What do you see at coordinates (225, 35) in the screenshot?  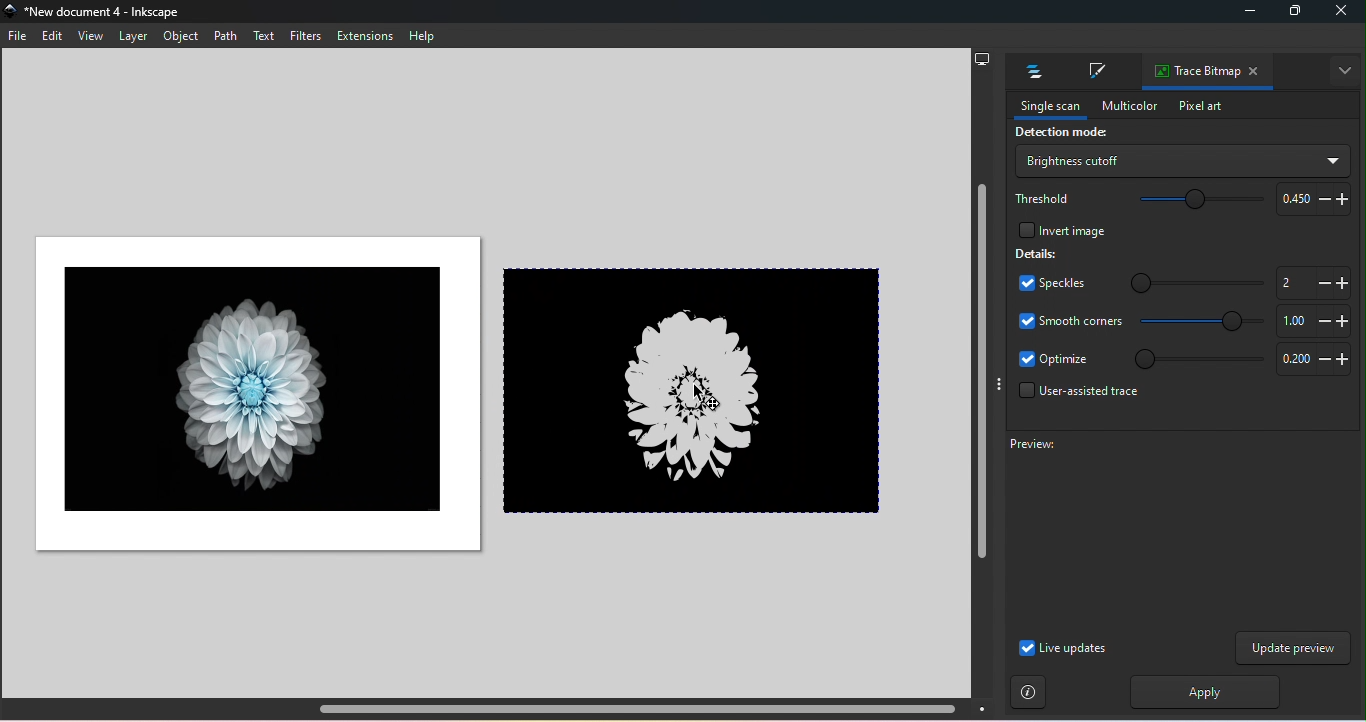 I see `Path` at bounding box center [225, 35].